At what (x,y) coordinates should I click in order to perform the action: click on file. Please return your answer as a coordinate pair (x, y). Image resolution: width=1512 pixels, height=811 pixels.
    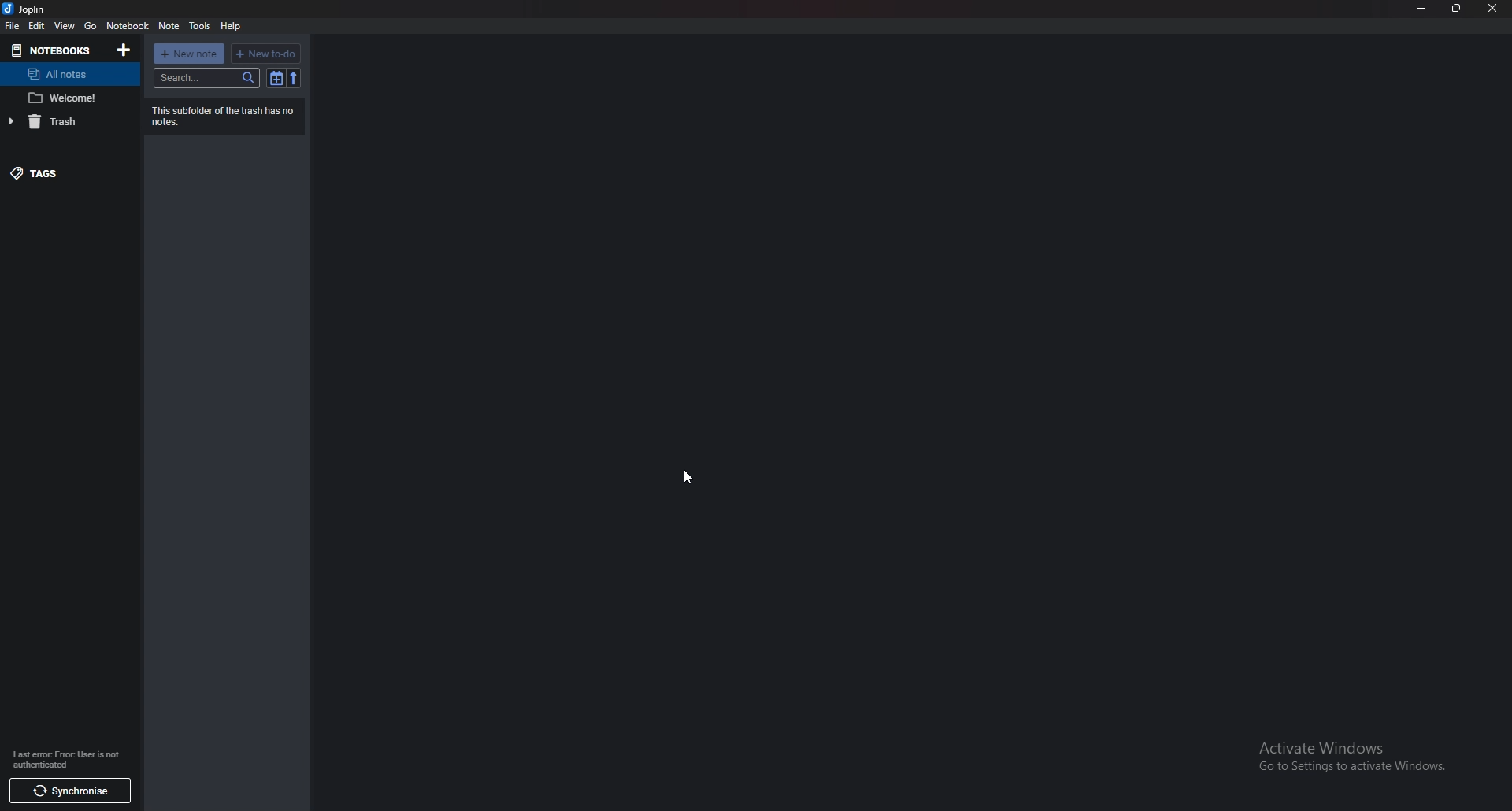
    Looking at the image, I should click on (13, 24).